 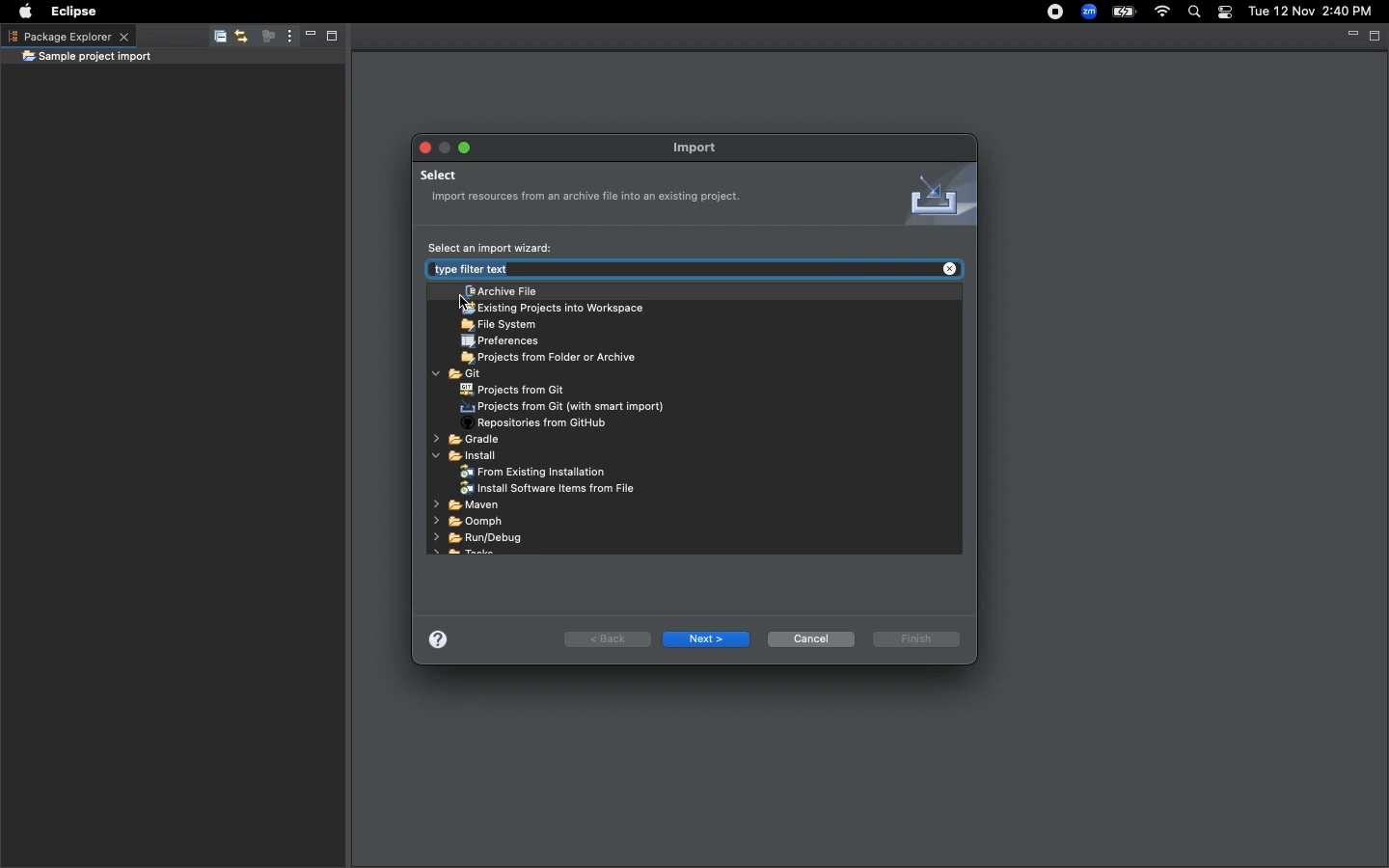 What do you see at coordinates (555, 359) in the screenshot?
I see `Projects from folder or archive` at bounding box center [555, 359].